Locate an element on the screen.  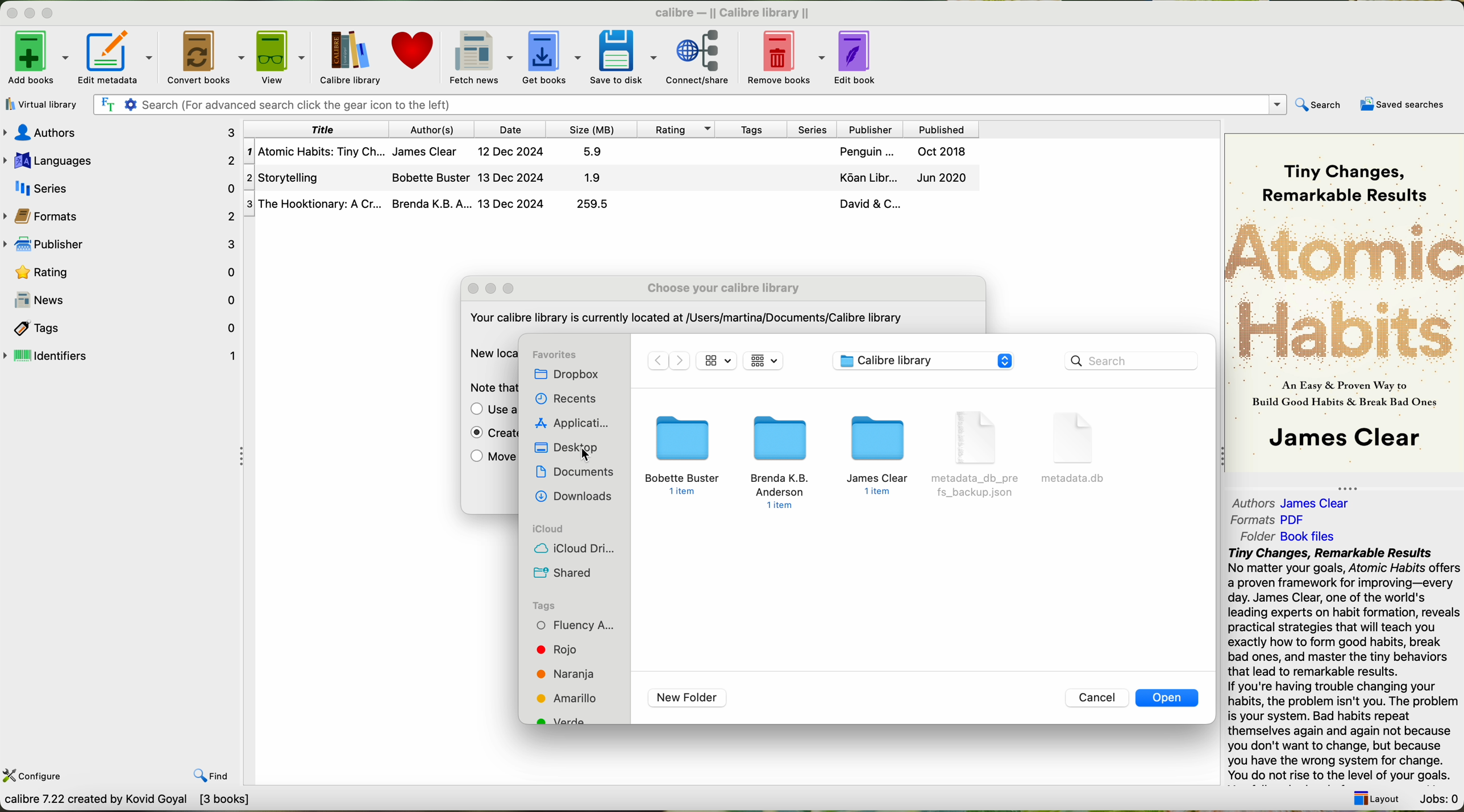
fetch news is located at coordinates (479, 56).